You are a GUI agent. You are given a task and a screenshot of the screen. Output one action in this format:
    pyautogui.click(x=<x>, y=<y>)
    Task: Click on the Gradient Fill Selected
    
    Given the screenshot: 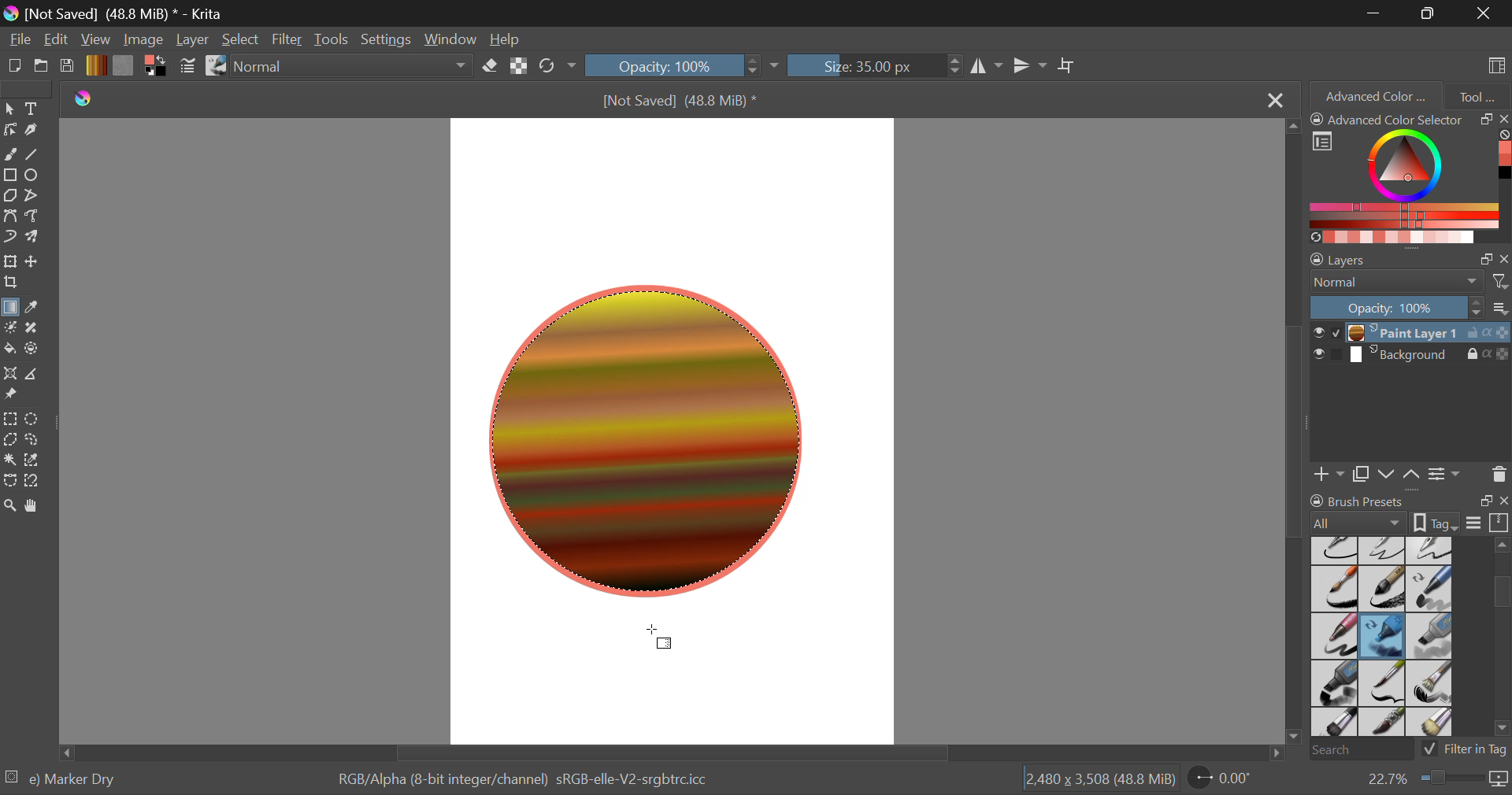 What is the action you would take?
    pyautogui.click(x=9, y=309)
    